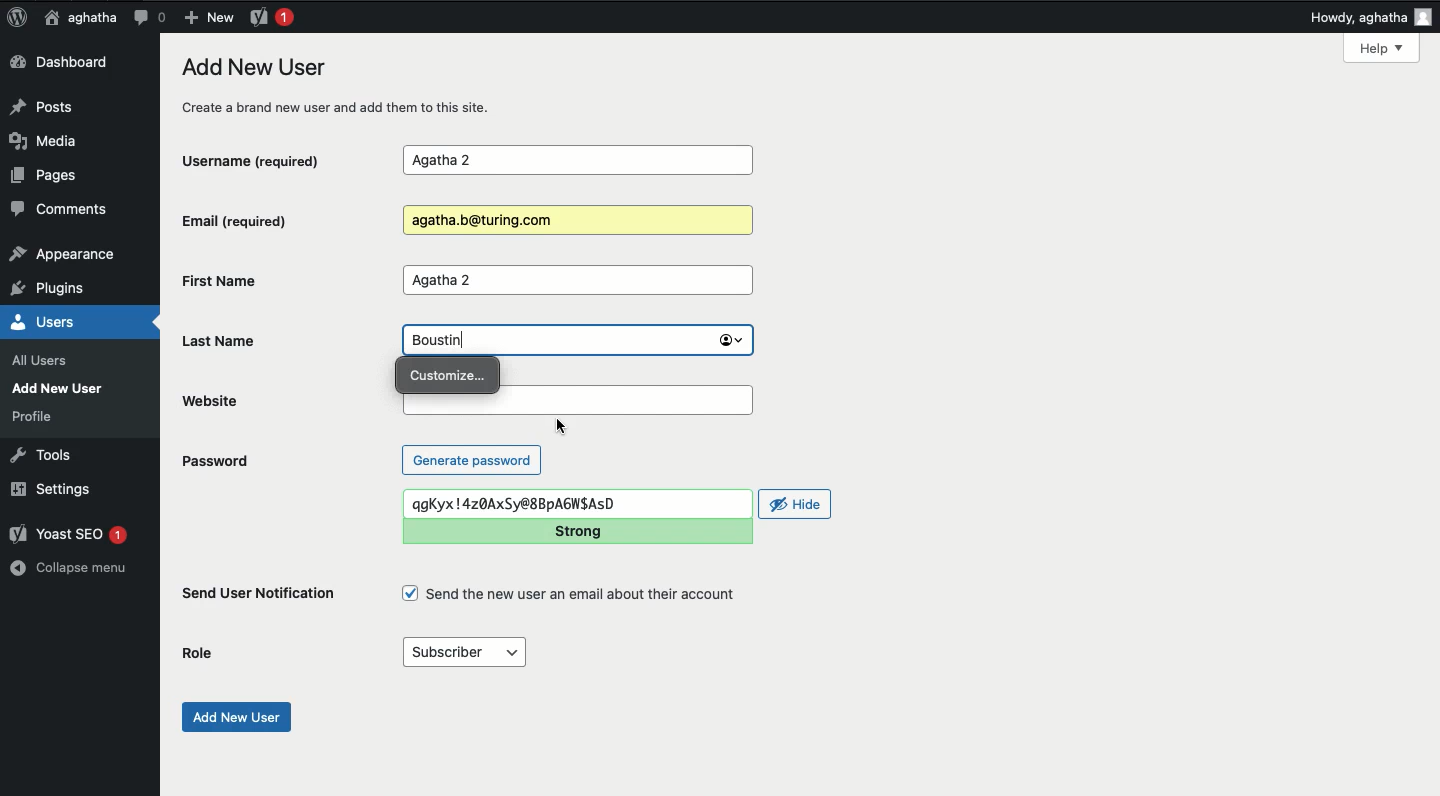  Describe the element at coordinates (472, 459) in the screenshot. I see `Generate password` at that location.